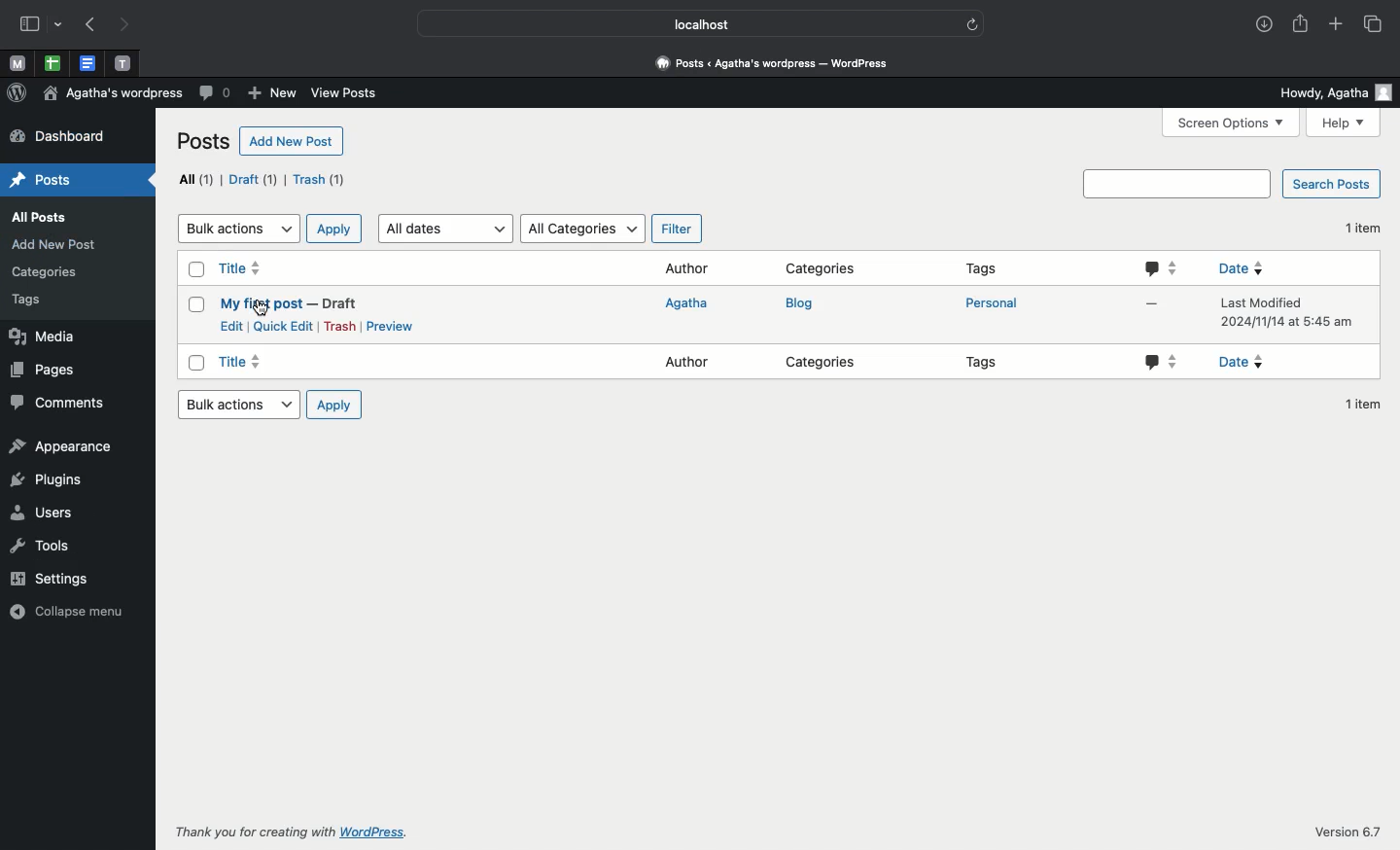 This screenshot has width=1400, height=850. I want to click on Apply, so click(332, 406).